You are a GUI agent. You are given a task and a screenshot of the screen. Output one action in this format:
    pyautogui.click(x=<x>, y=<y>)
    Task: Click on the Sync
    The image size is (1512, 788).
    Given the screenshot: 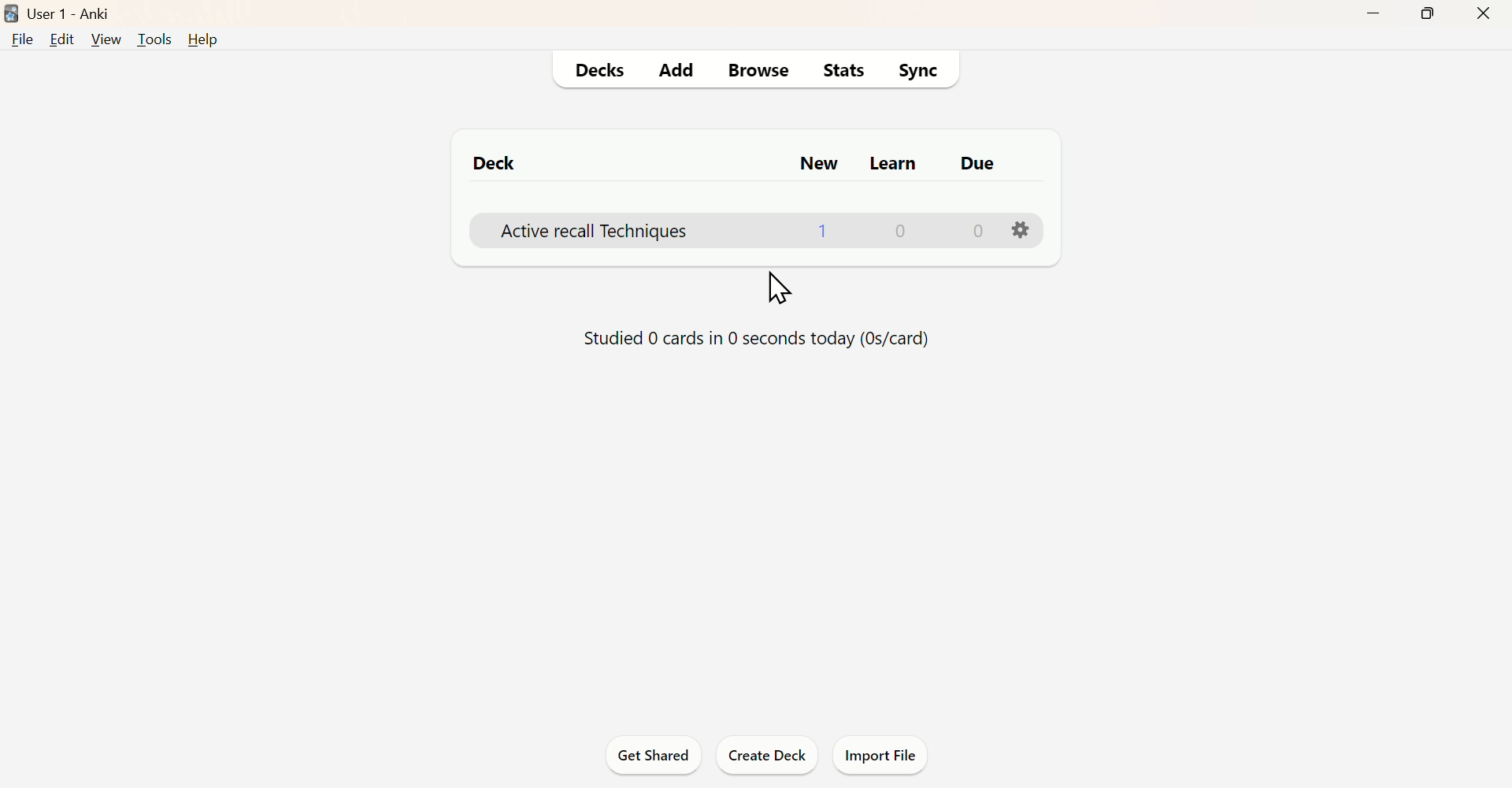 What is the action you would take?
    pyautogui.click(x=917, y=72)
    